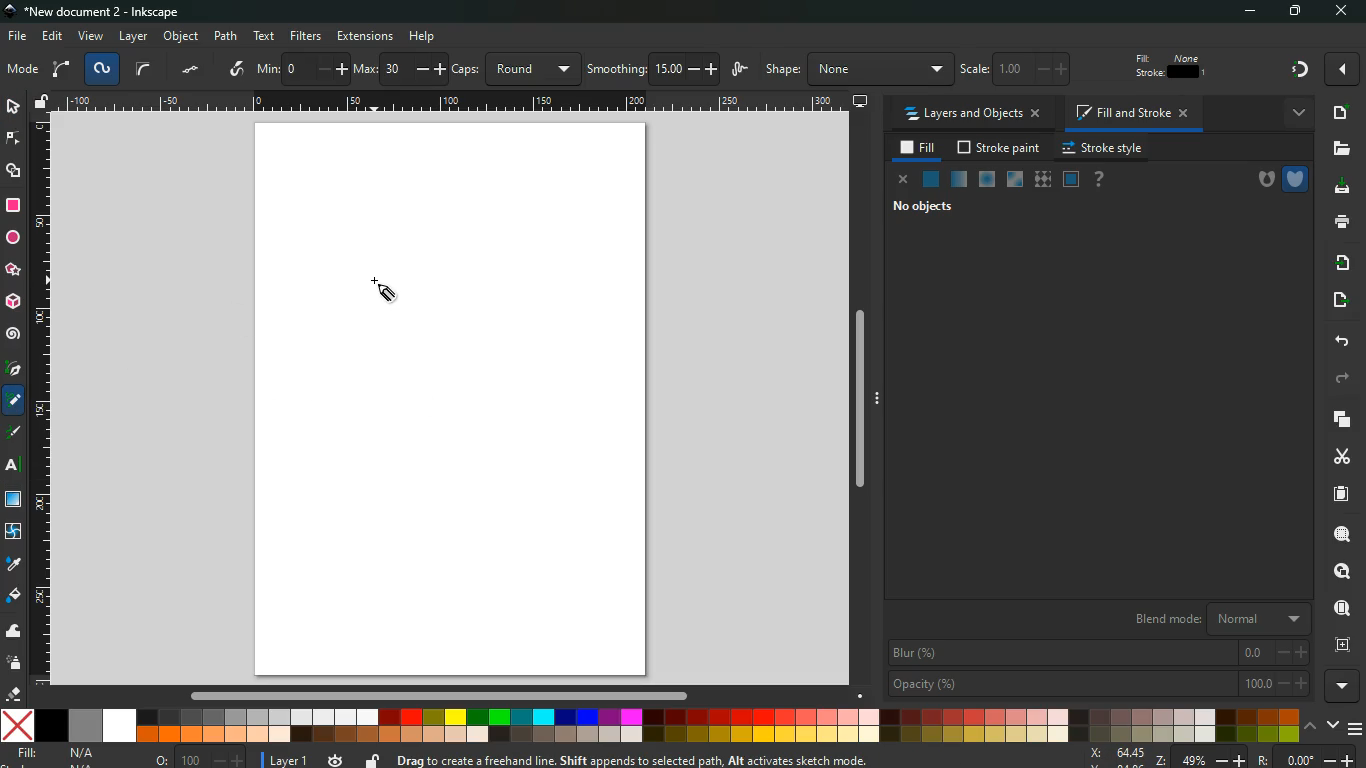  What do you see at coordinates (15, 633) in the screenshot?
I see `wave` at bounding box center [15, 633].